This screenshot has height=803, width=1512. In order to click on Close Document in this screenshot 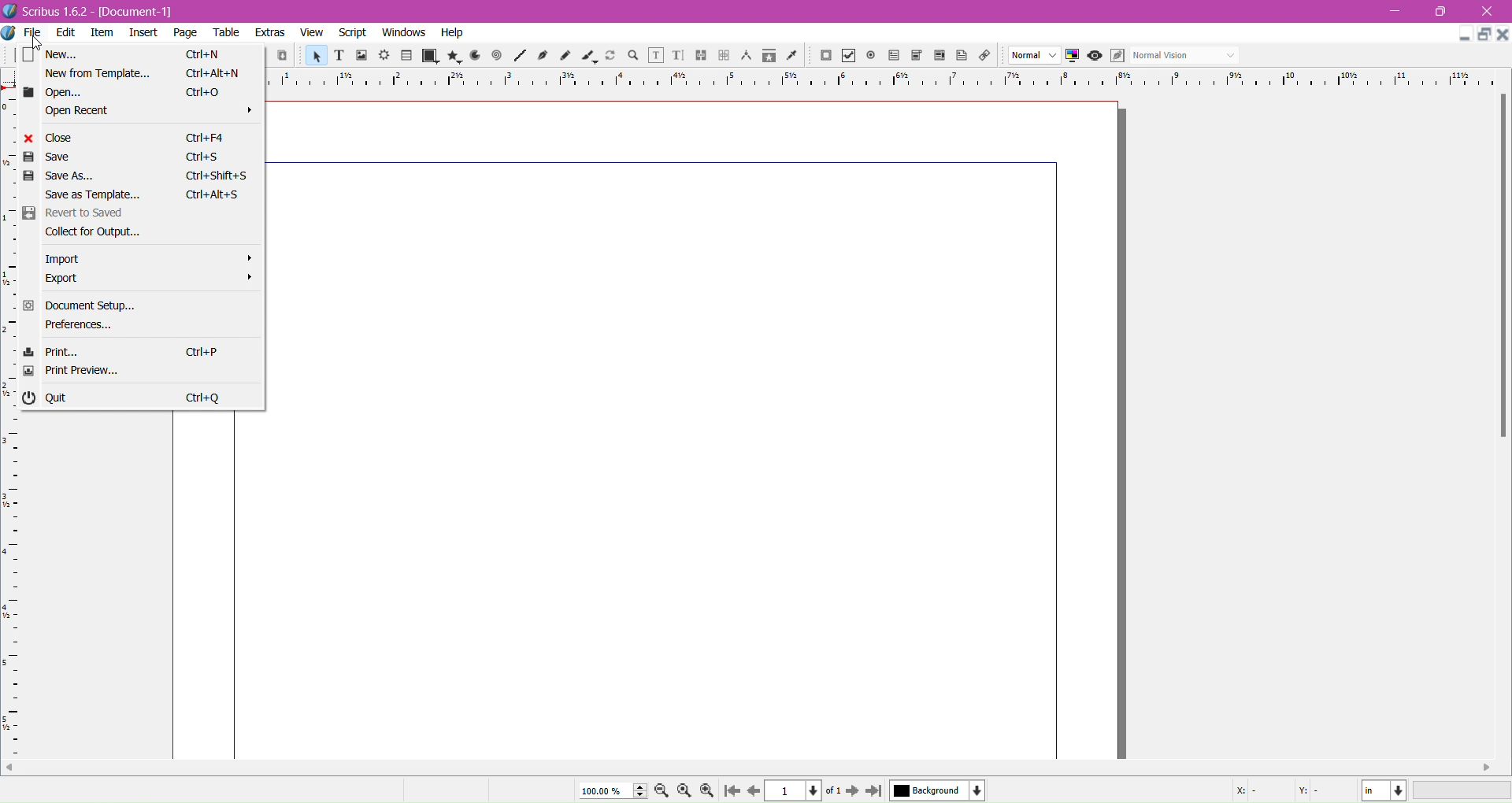, I will do `click(1503, 35)`.